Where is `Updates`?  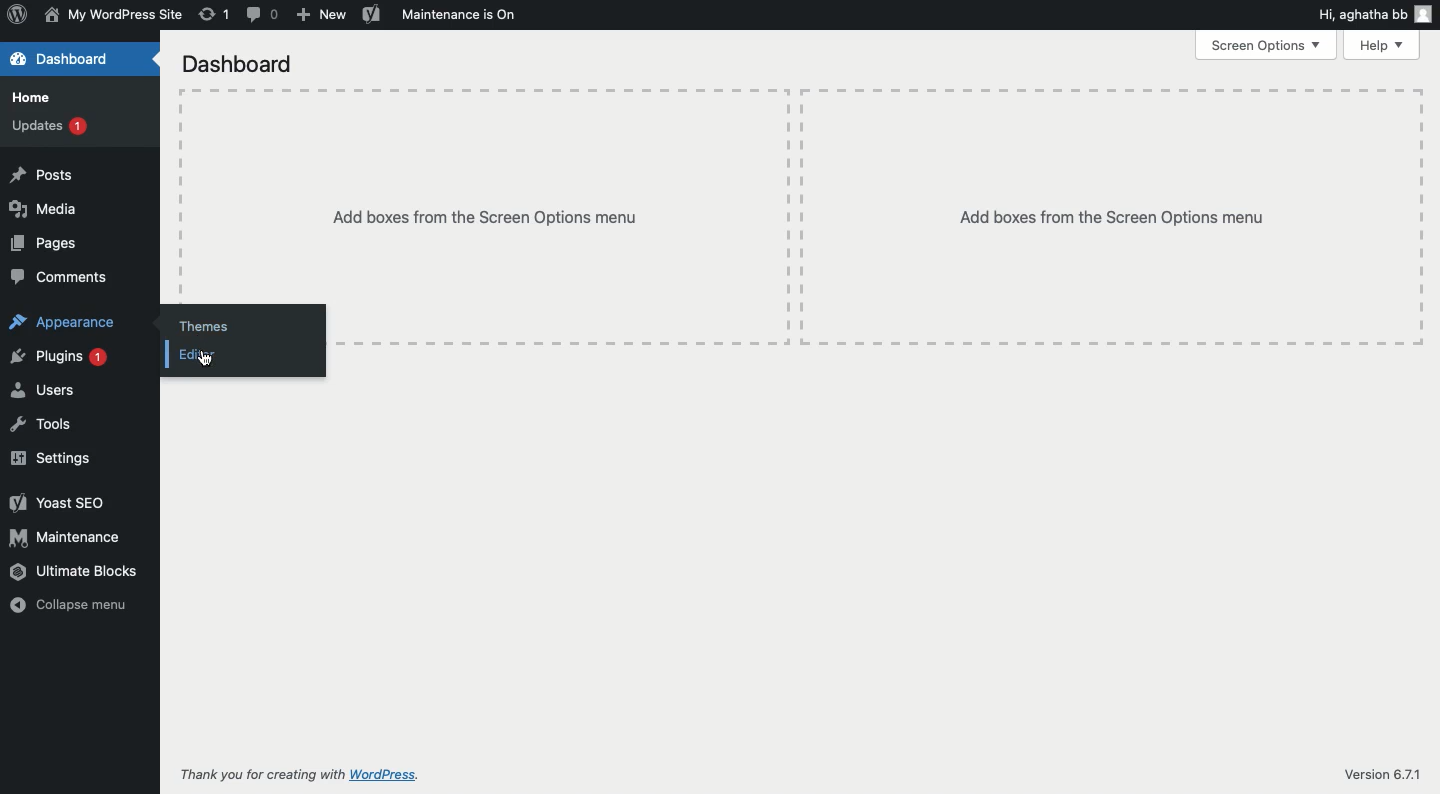
Updates is located at coordinates (52, 124).